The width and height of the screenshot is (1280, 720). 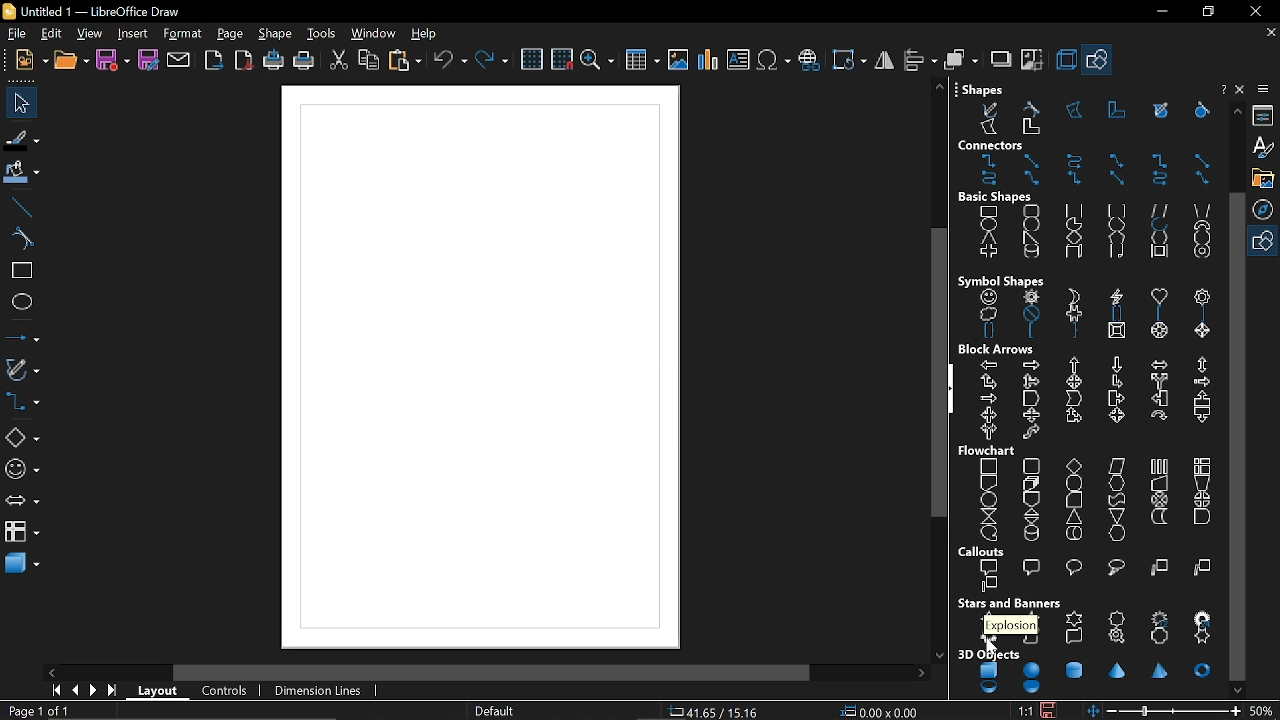 I want to click on Basic shapes, so click(x=1265, y=242).